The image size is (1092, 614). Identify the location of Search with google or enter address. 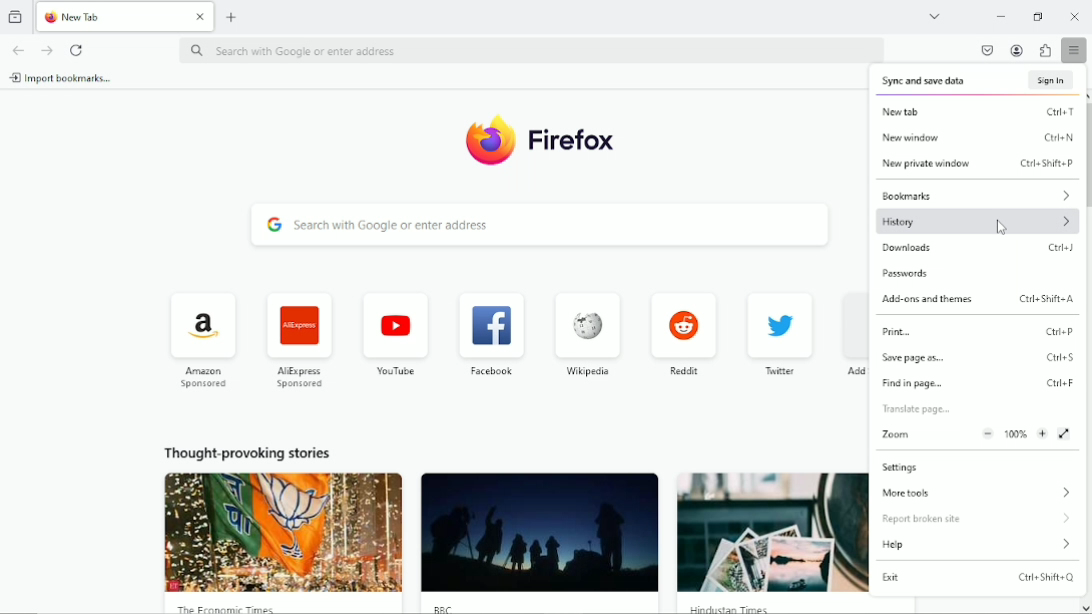
(529, 50).